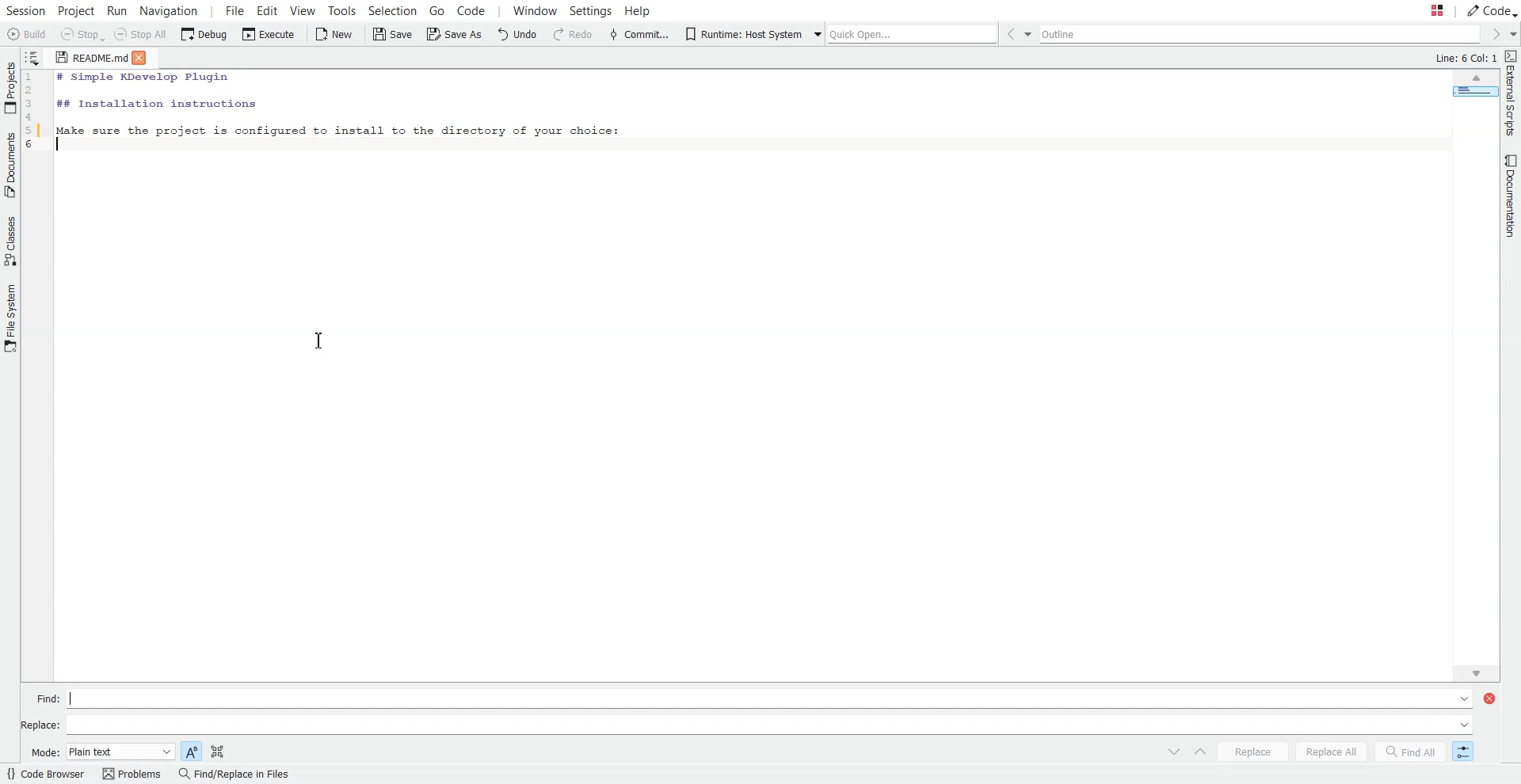 Image resolution: width=1521 pixels, height=784 pixels. I want to click on Run , so click(120, 10).